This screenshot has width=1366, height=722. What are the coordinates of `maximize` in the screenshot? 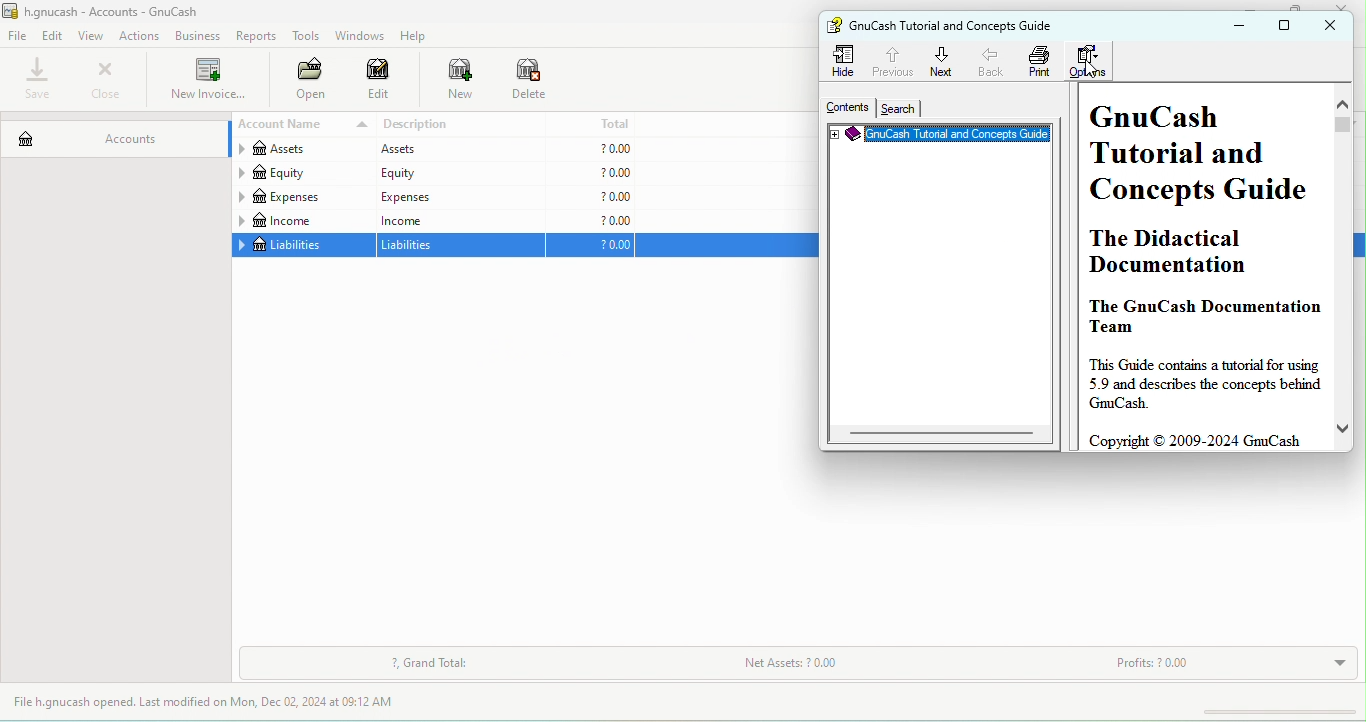 It's located at (1288, 26).